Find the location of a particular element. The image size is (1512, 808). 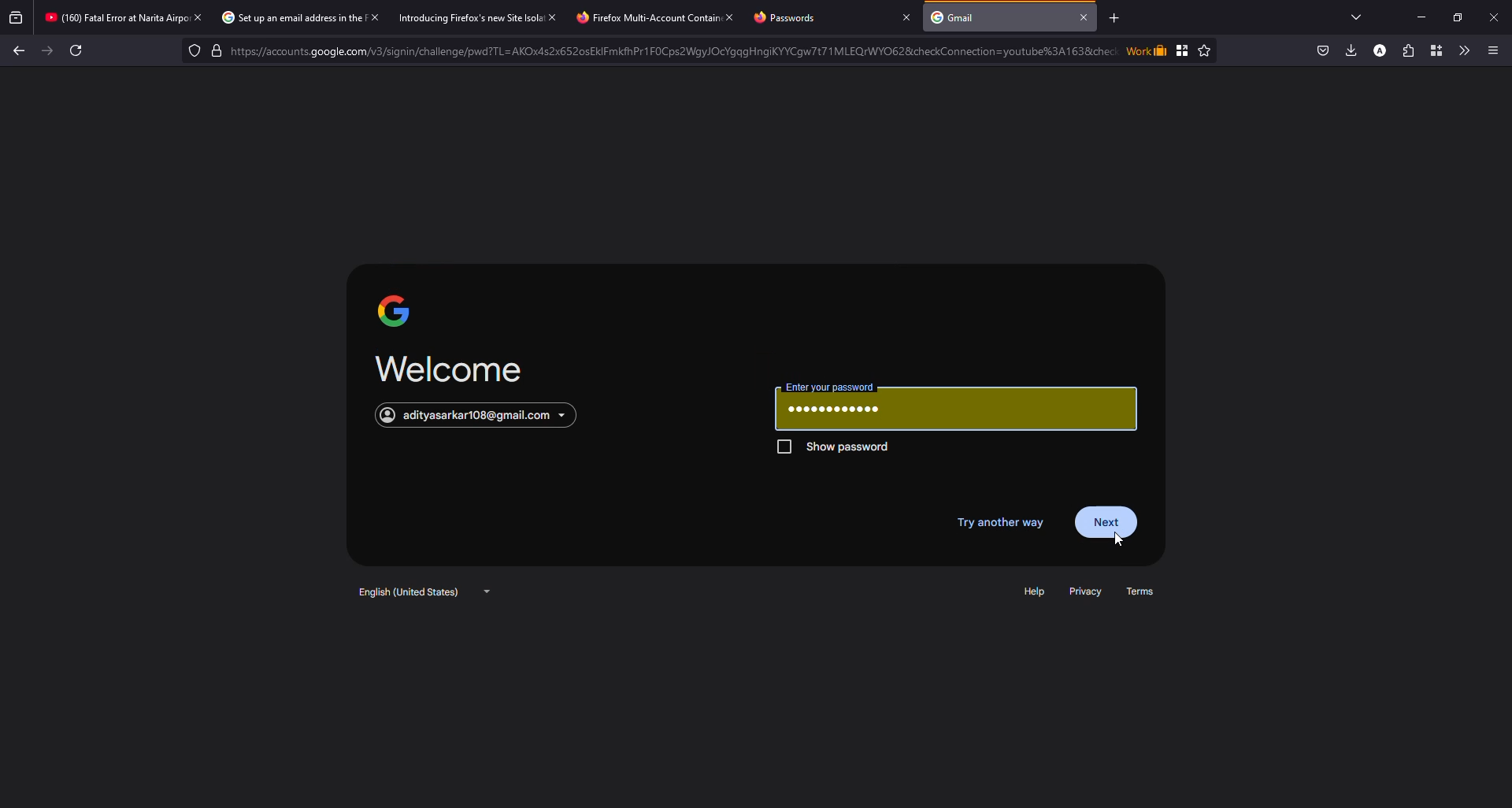

add is located at coordinates (1114, 18).